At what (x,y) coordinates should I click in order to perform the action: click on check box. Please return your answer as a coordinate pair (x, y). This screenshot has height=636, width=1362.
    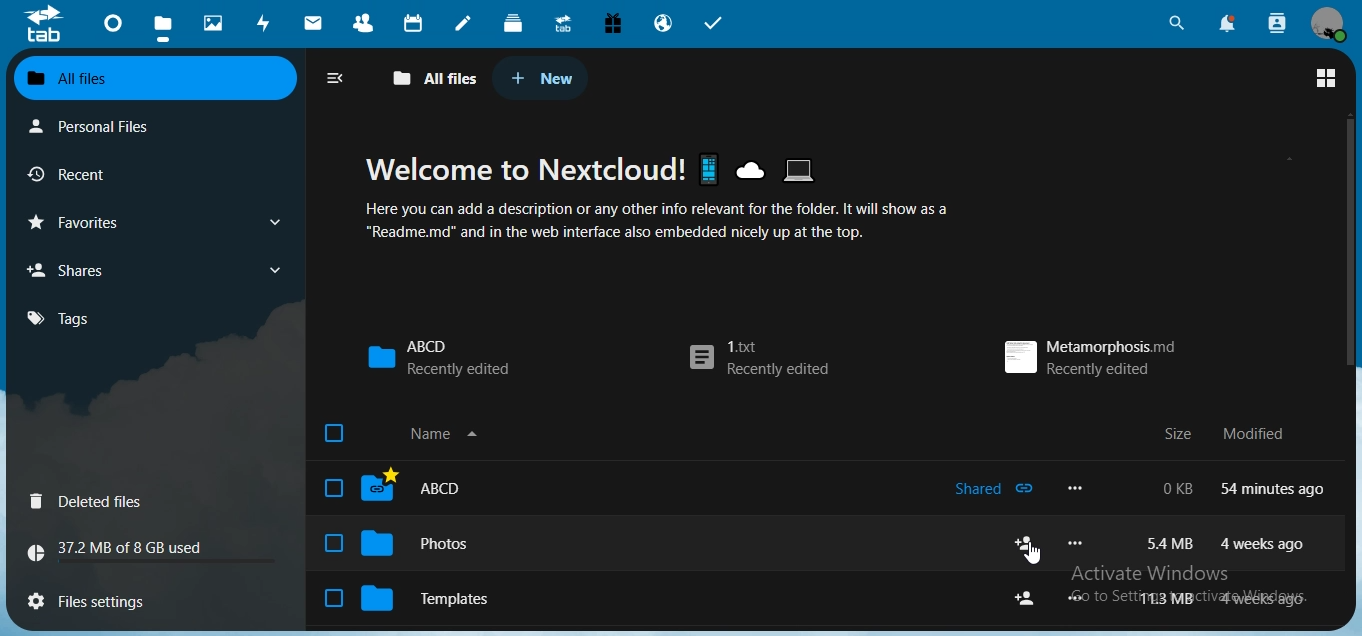
    Looking at the image, I should click on (332, 488).